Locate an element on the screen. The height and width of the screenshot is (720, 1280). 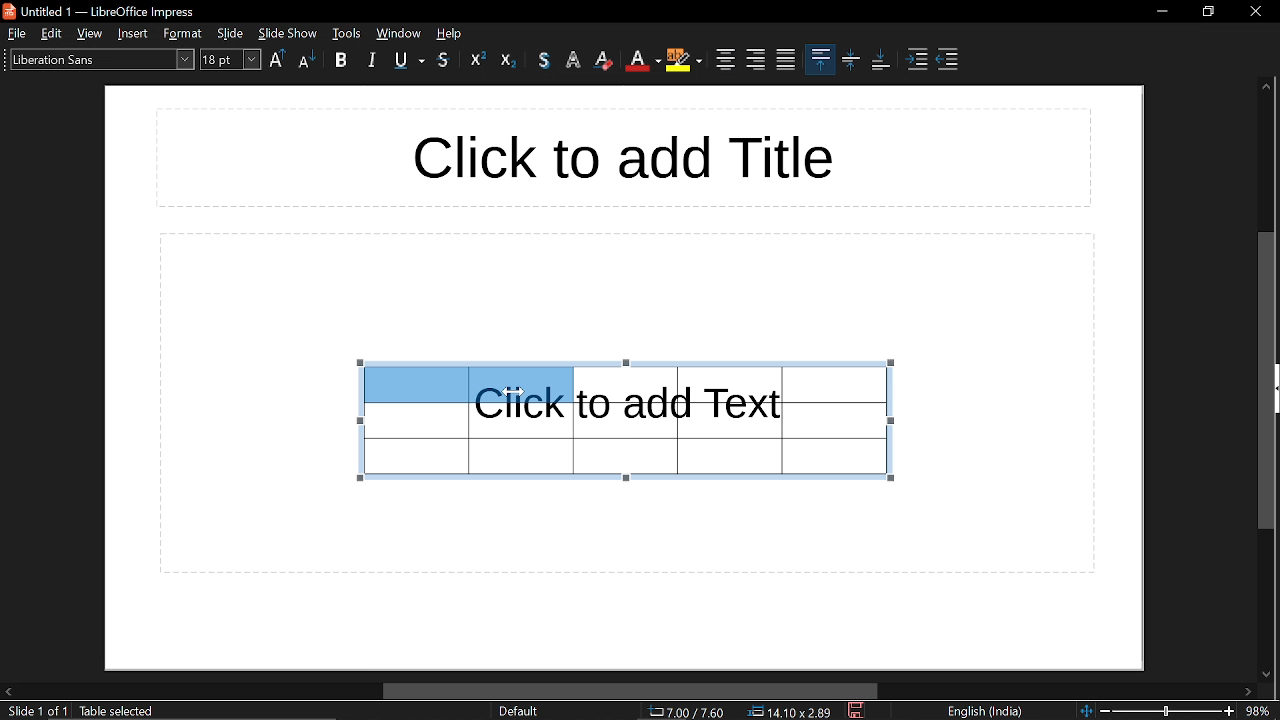
subscript is located at coordinates (509, 59).